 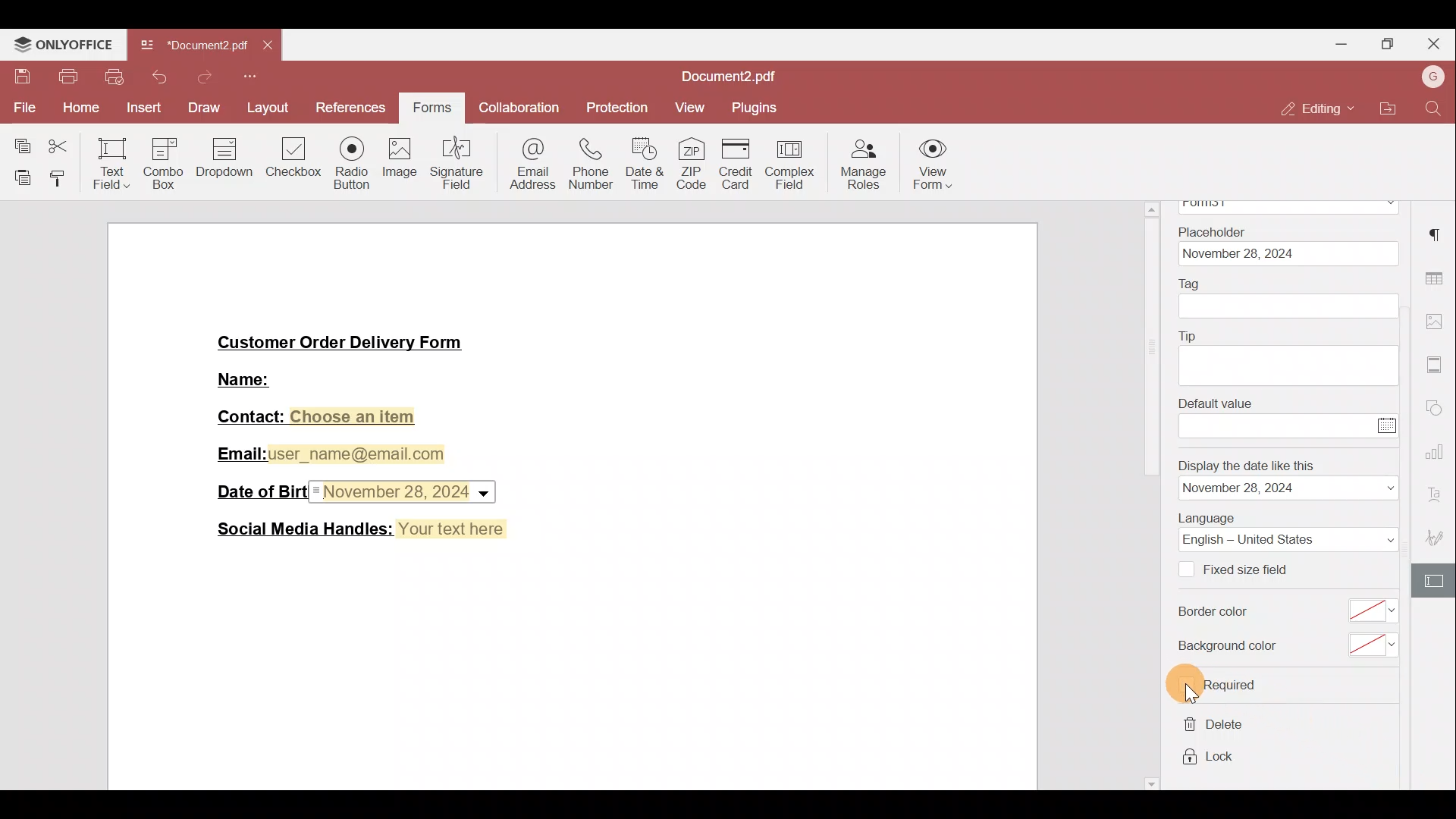 What do you see at coordinates (63, 77) in the screenshot?
I see `Print file` at bounding box center [63, 77].